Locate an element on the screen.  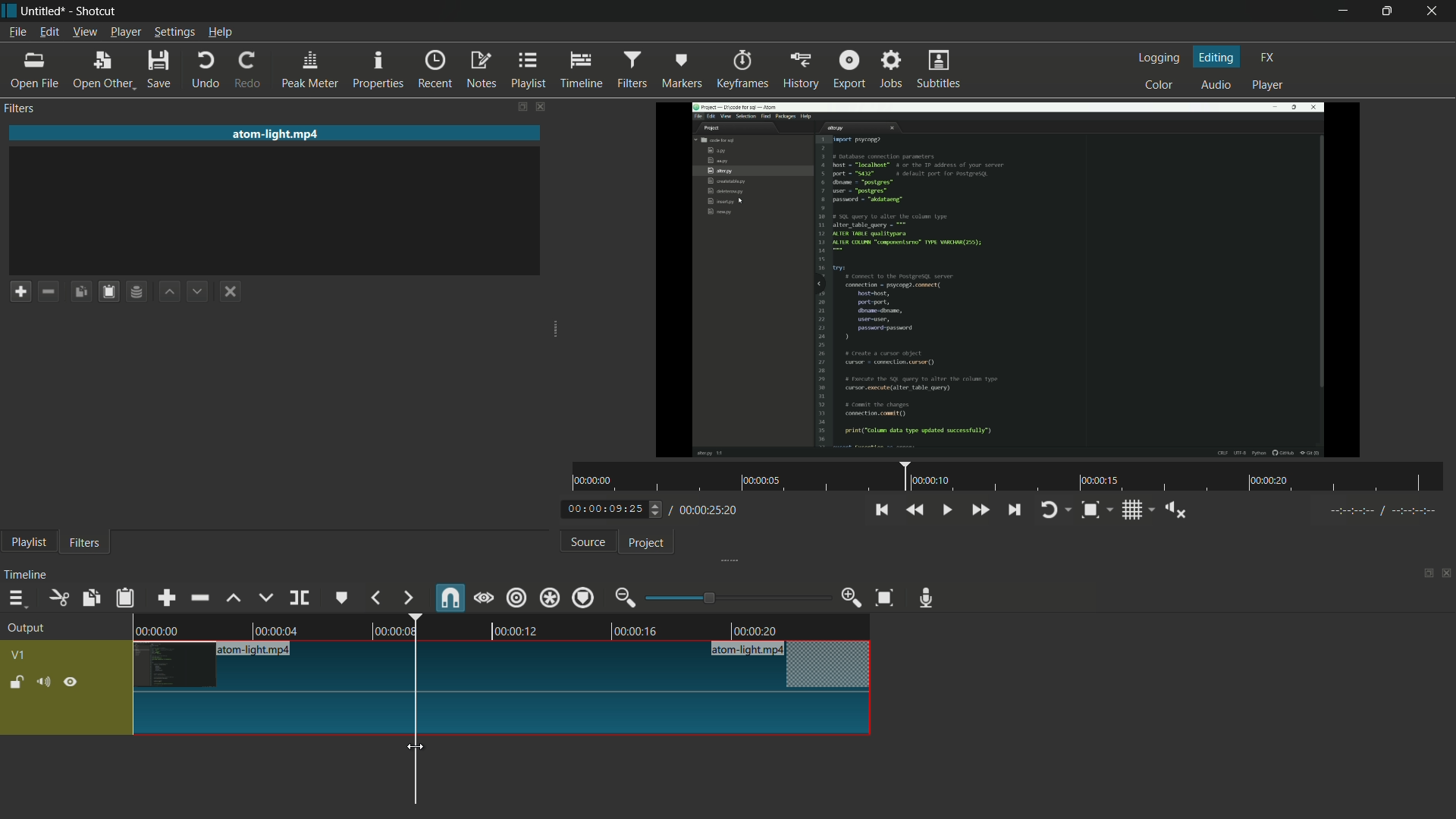
close app is located at coordinates (1437, 11).